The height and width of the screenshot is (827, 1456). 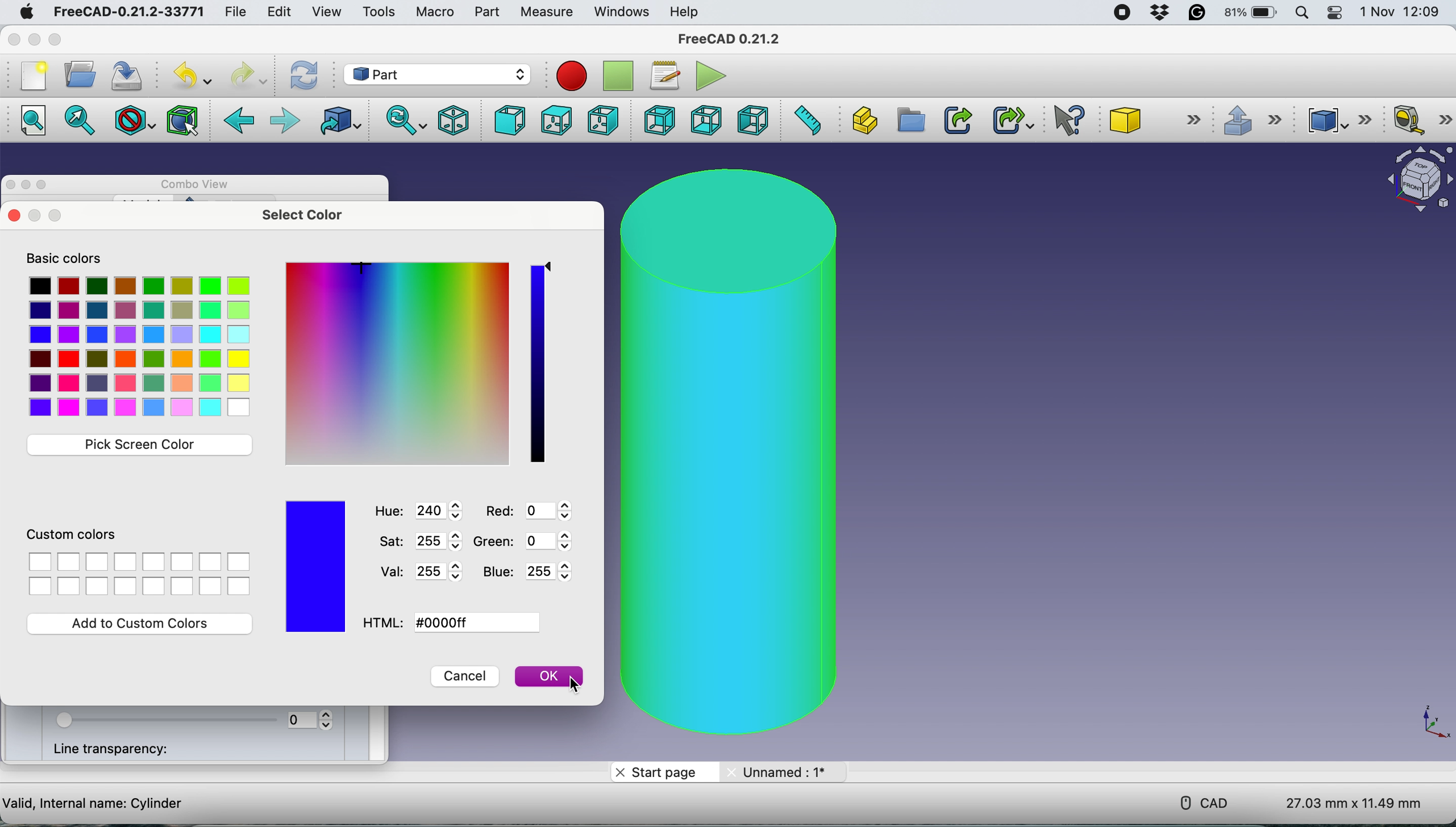 I want to click on control center, so click(x=1337, y=15).